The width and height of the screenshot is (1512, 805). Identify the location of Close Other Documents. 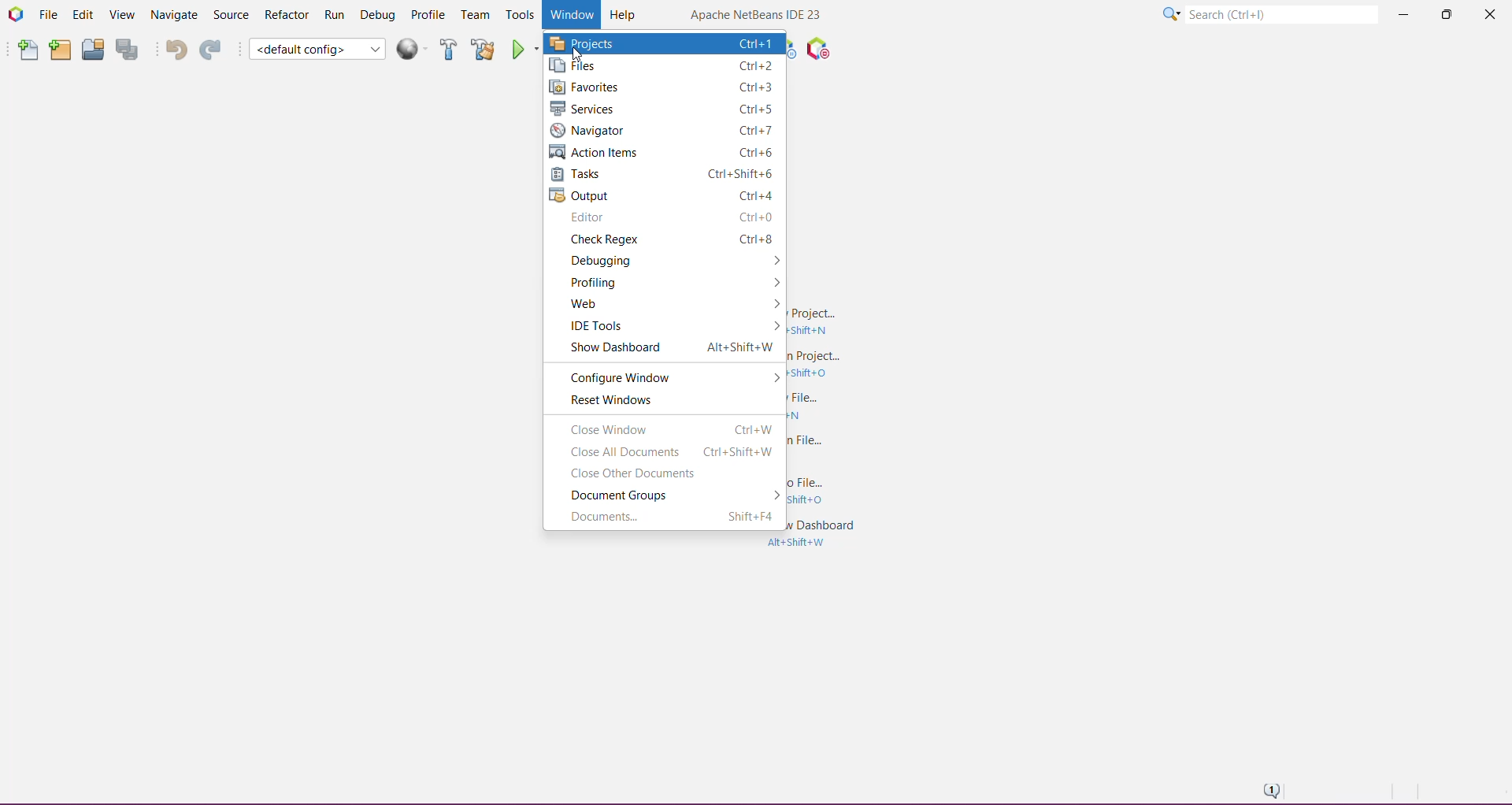
(654, 473).